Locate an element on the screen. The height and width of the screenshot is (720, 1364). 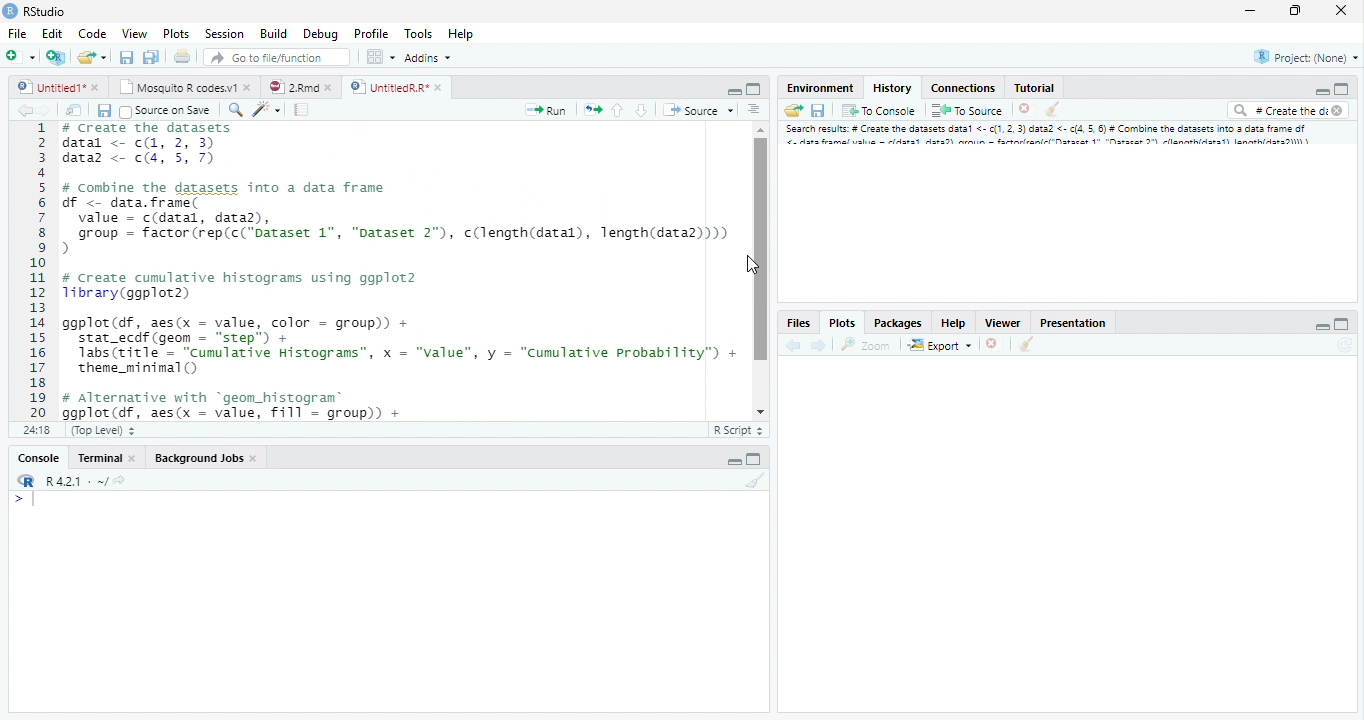
Packages is located at coordinates (898, 321).